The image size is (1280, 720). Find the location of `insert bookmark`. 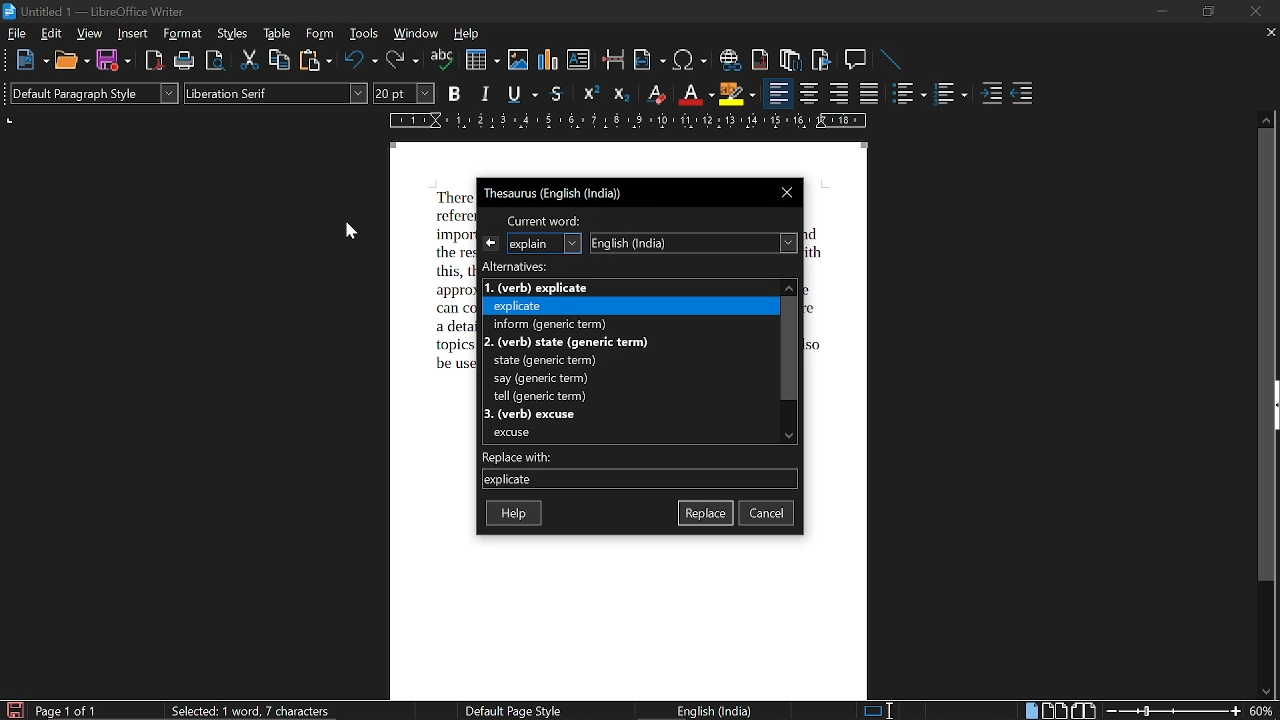

insert bookmark is located at coordinates (822, 60).